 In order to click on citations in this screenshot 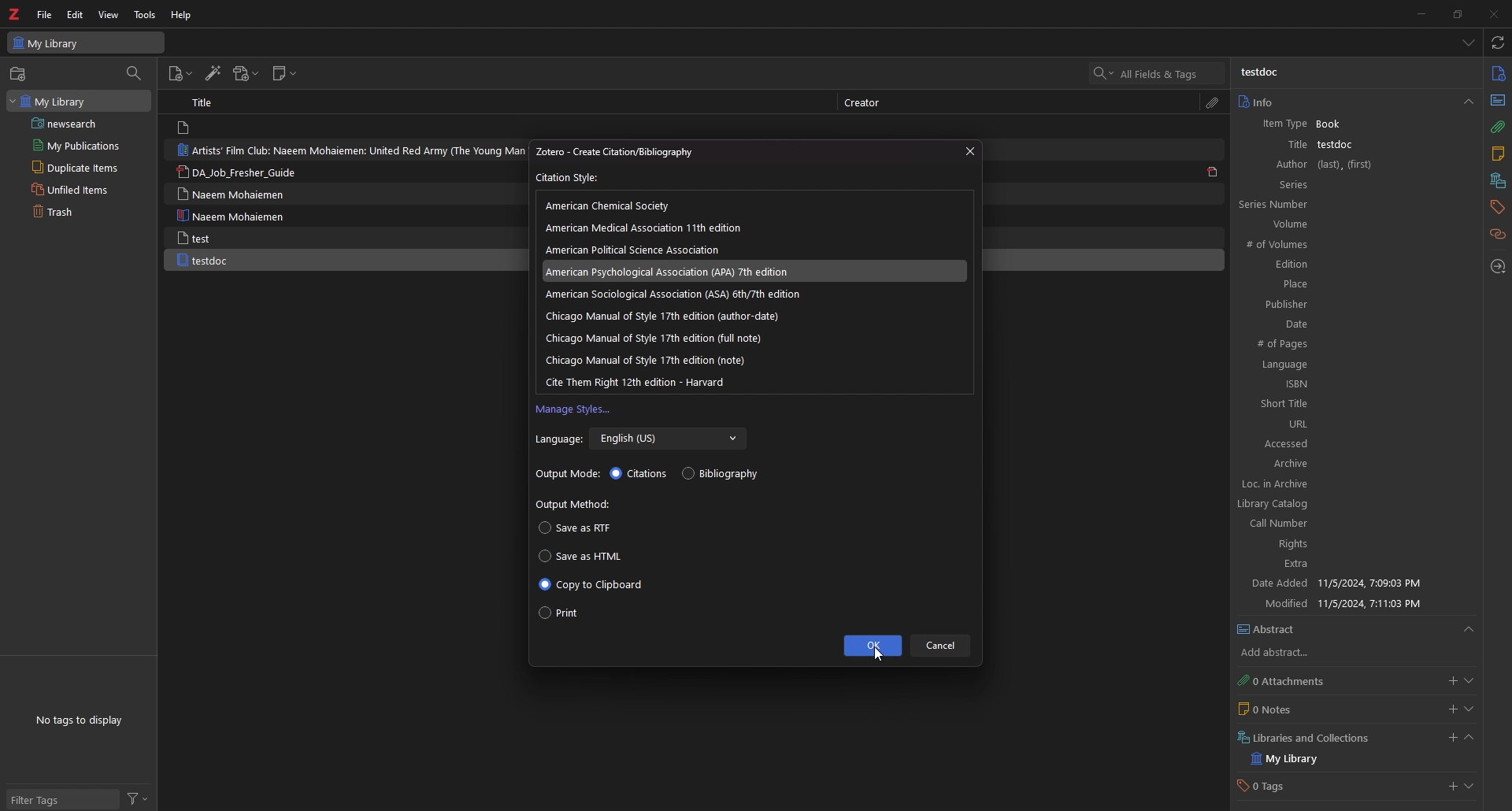, I will do `click(640, 474)`.